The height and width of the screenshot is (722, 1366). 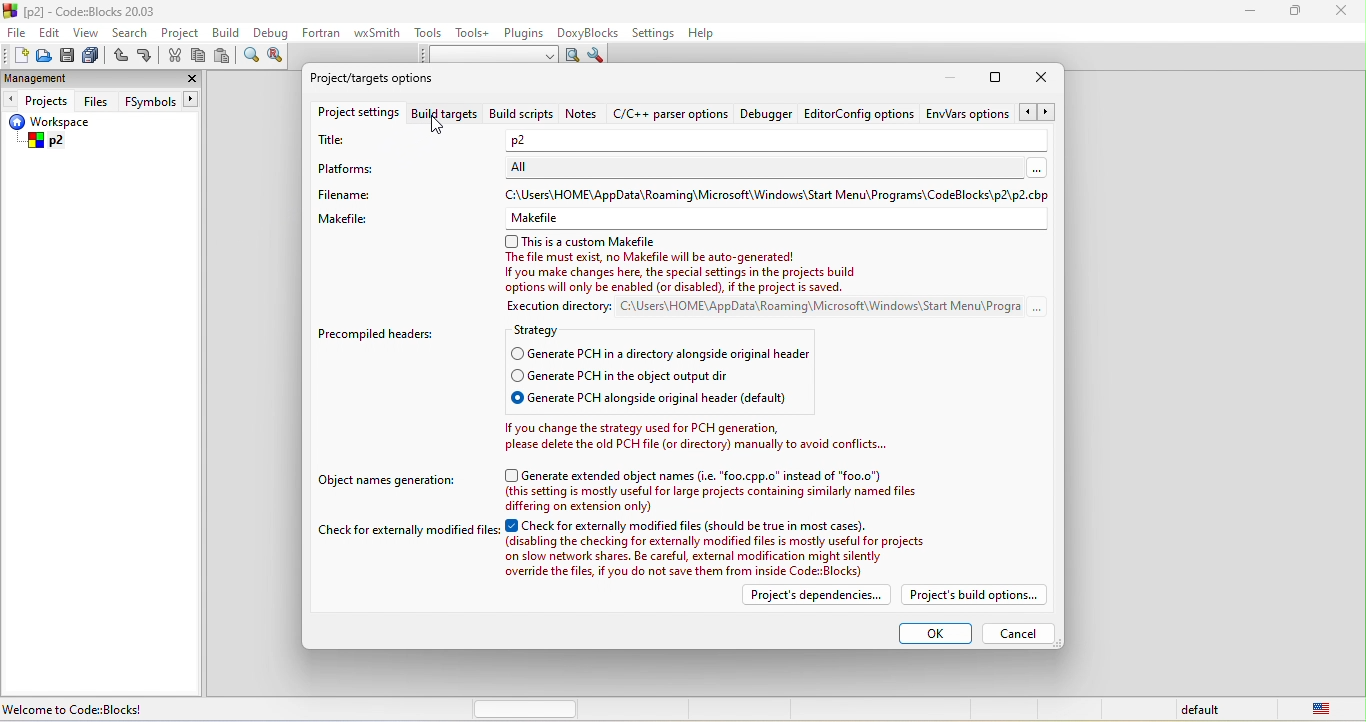 What do you see at coordinates (778, 194) in the screenshot?
I see `C:\Users\HOME\AppData\Roaming\Microsoft\Windows\Start Menu\Programs\CodeBlocks\p2\p2.cbp` at bounding box center [778, 194].